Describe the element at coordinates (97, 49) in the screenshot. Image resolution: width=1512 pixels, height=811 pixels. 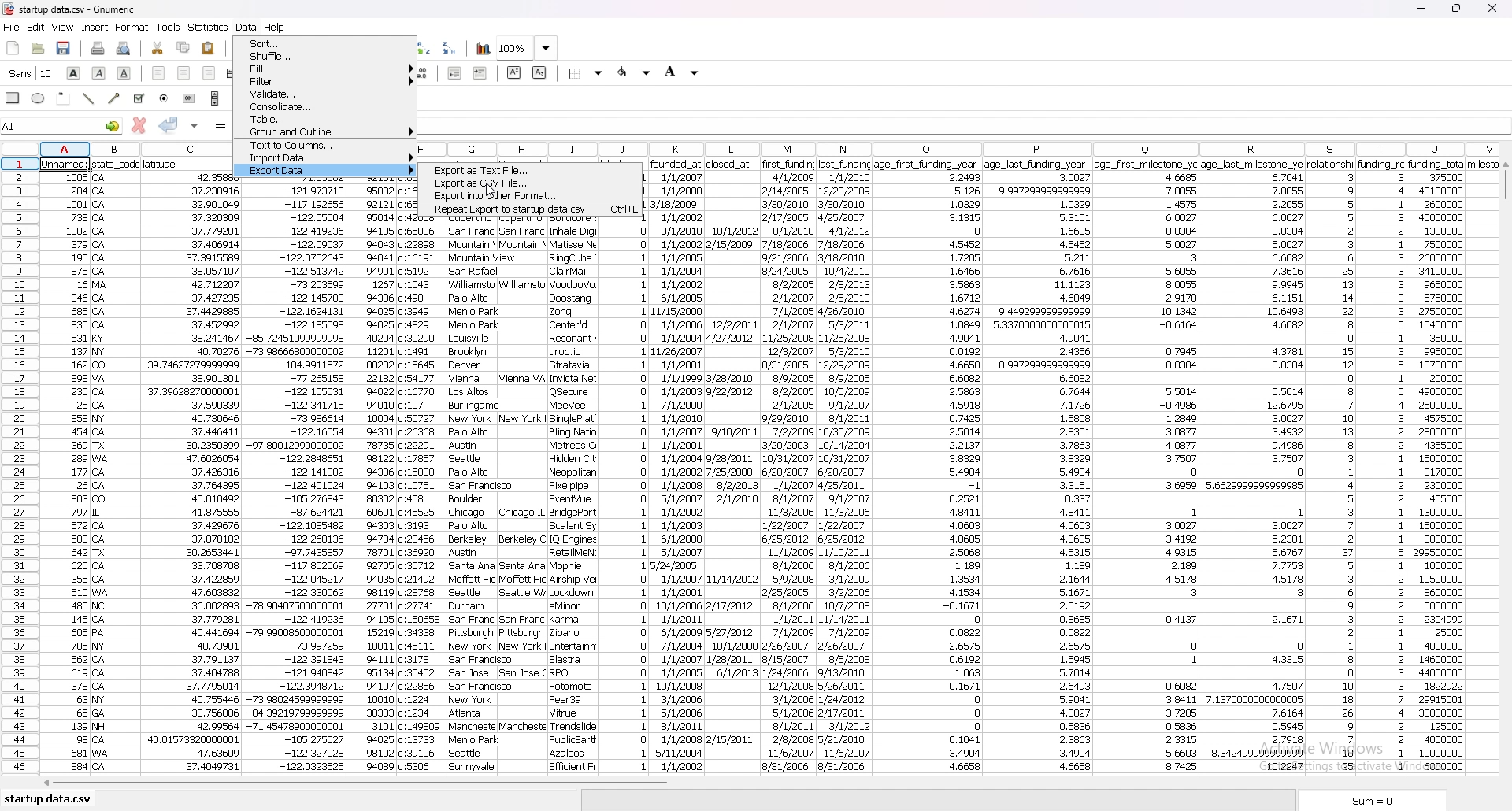
I see `print` at that location.